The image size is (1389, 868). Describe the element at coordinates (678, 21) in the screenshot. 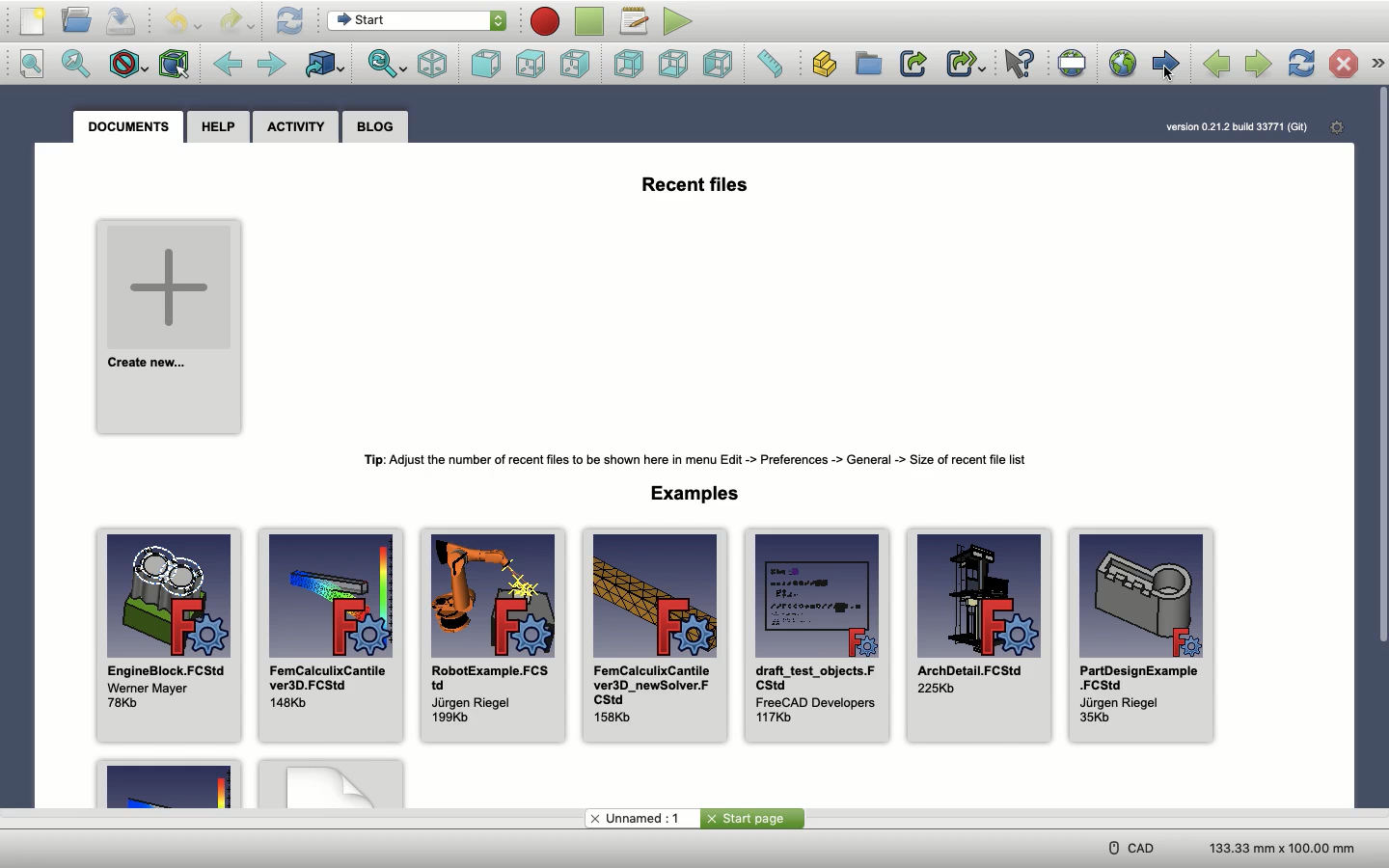

I see `Execute macros` at that location.